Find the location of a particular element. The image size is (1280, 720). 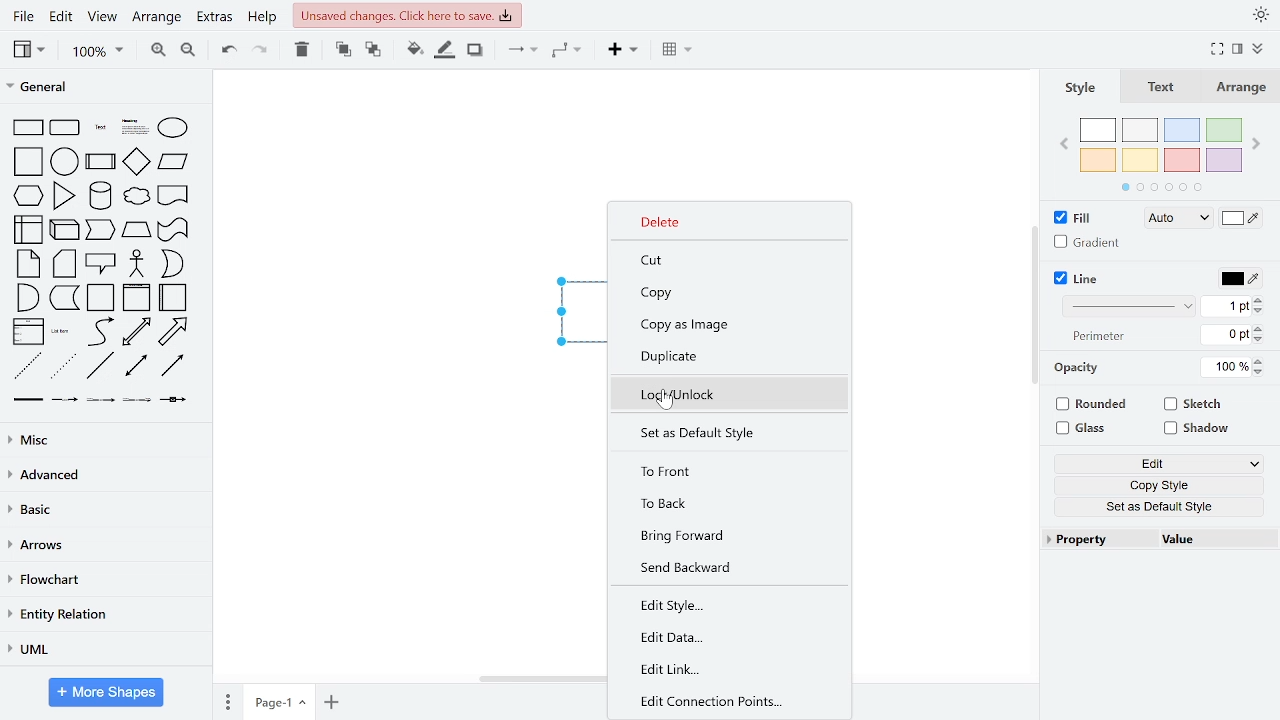

more shapes is located at coordinates (108, 692).